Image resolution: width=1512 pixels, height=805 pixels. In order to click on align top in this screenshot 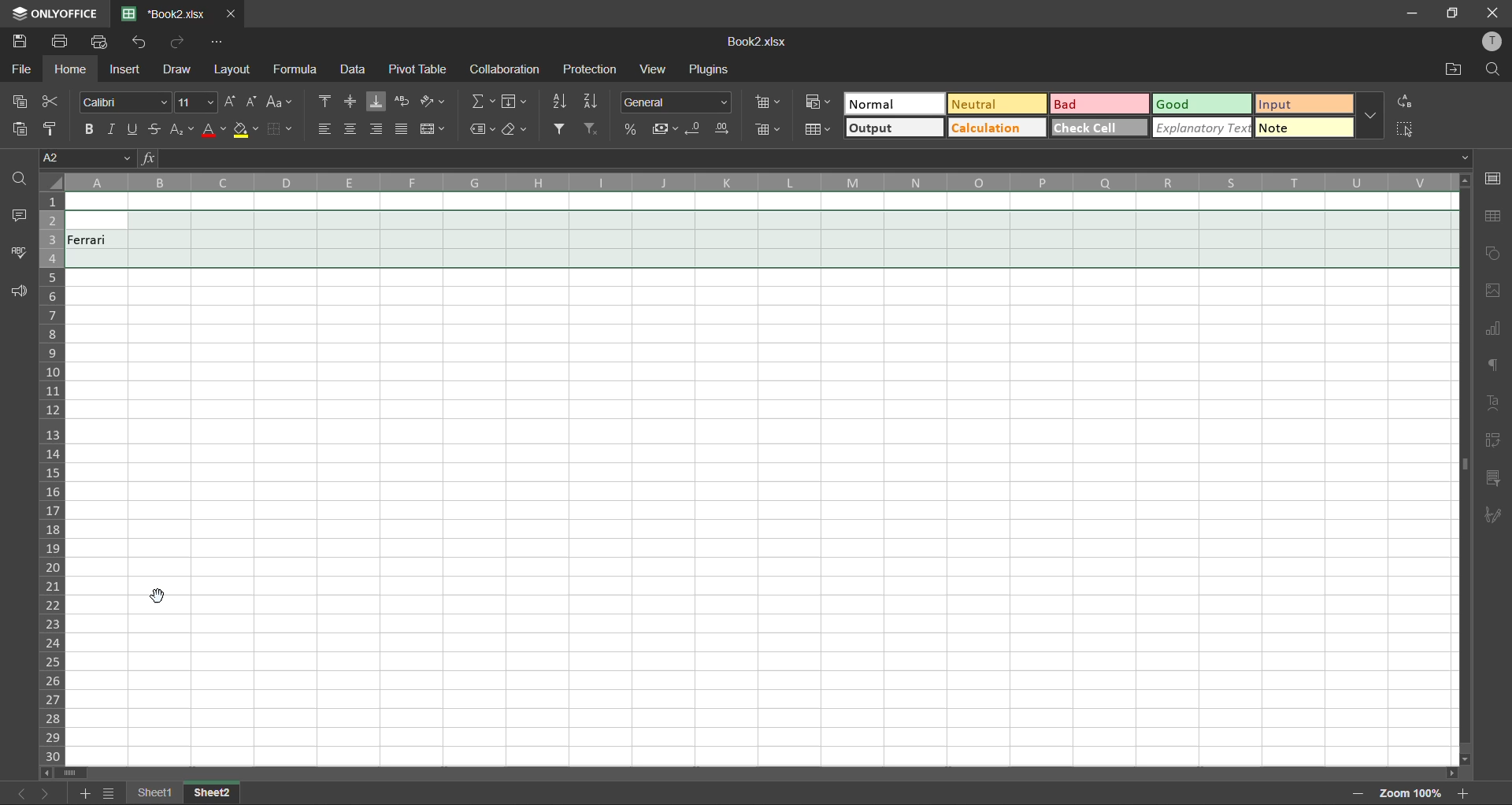, I will do `click(328, 101)`.